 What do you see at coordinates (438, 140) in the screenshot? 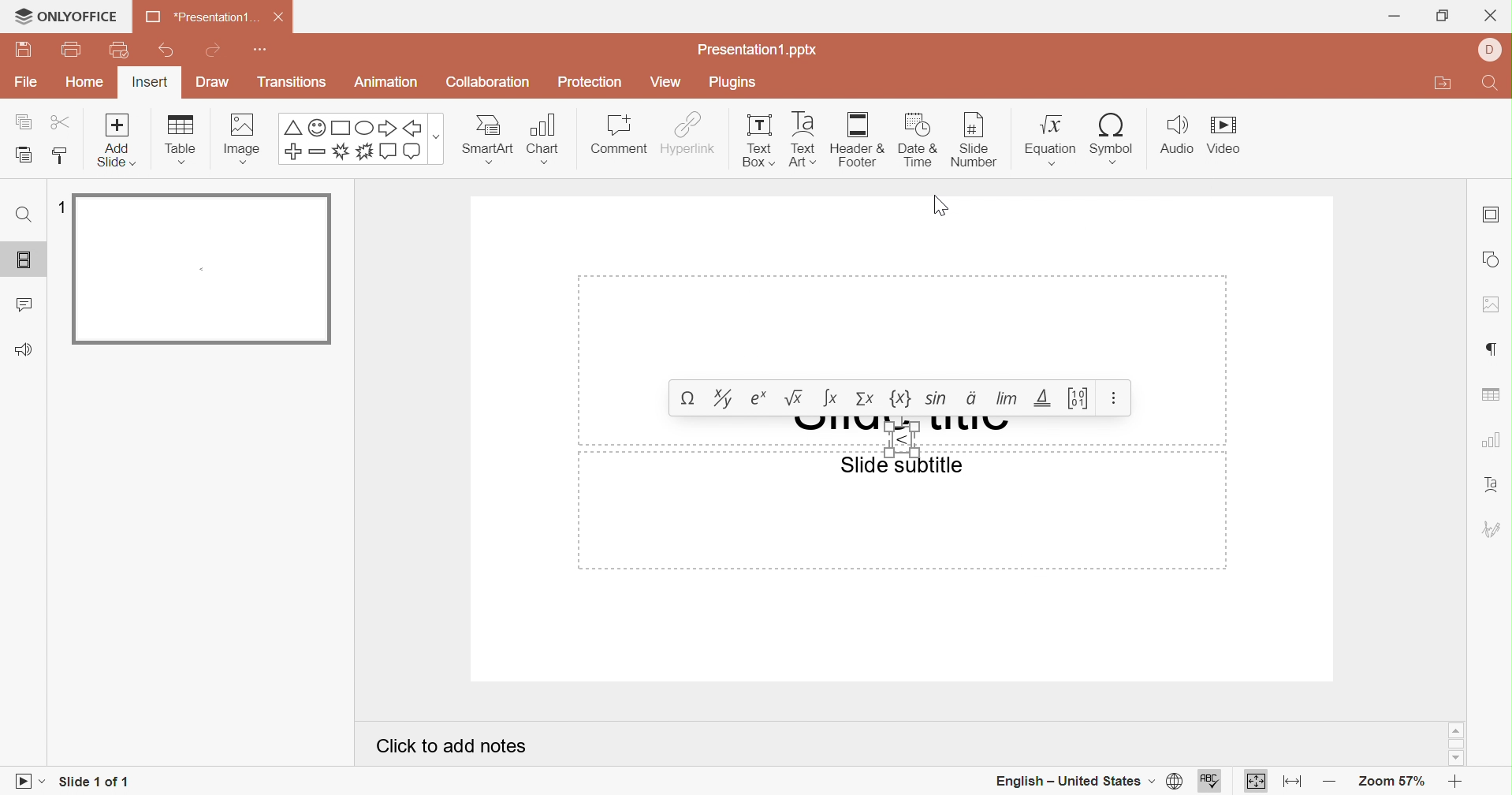
I see `more options` at bounding box center [438, 140].